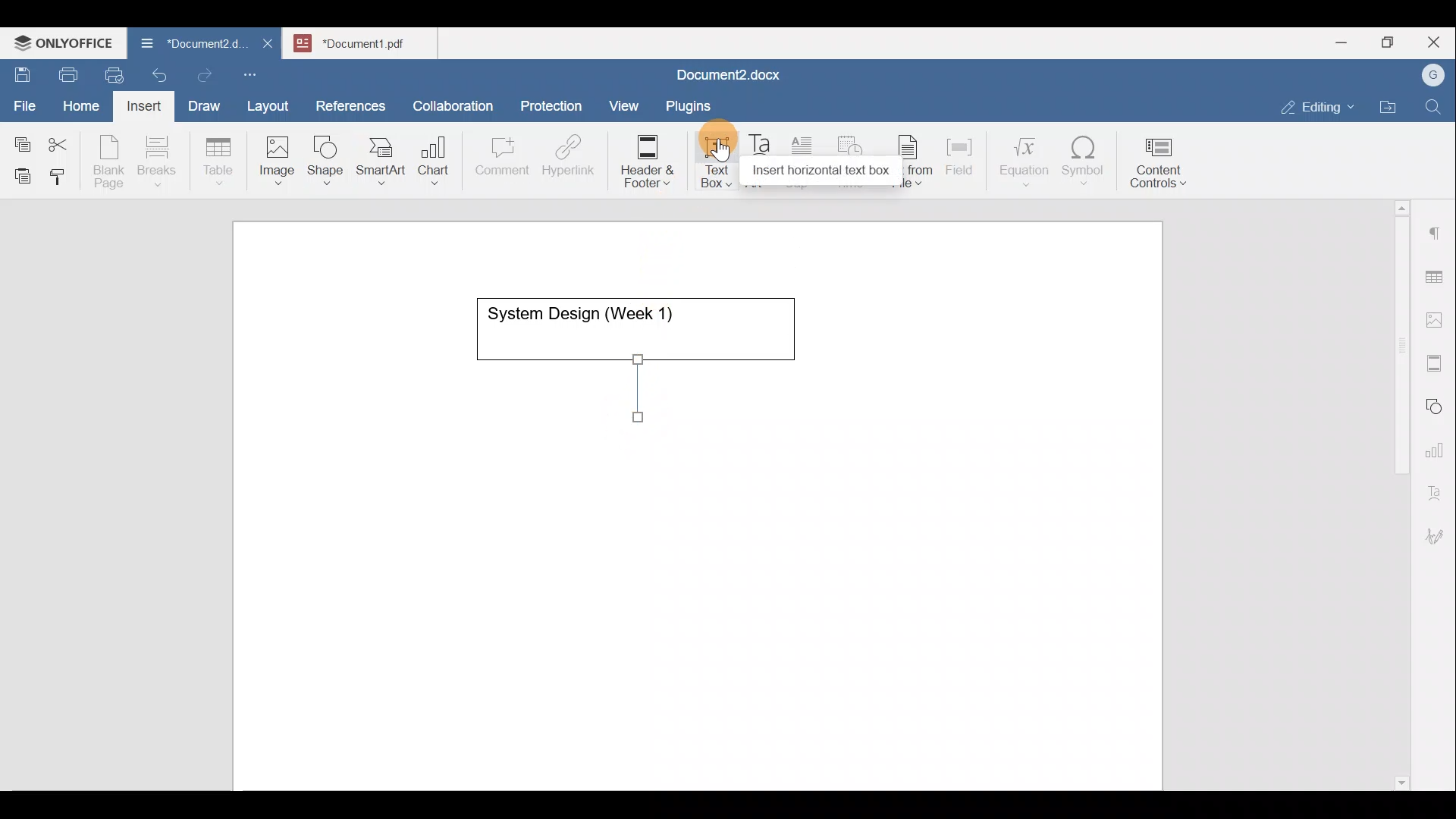 This screenshot has width=1456, height=819. Describe the element at coordinates (64, 141) in the screenshot. I see `Cut` at that location.